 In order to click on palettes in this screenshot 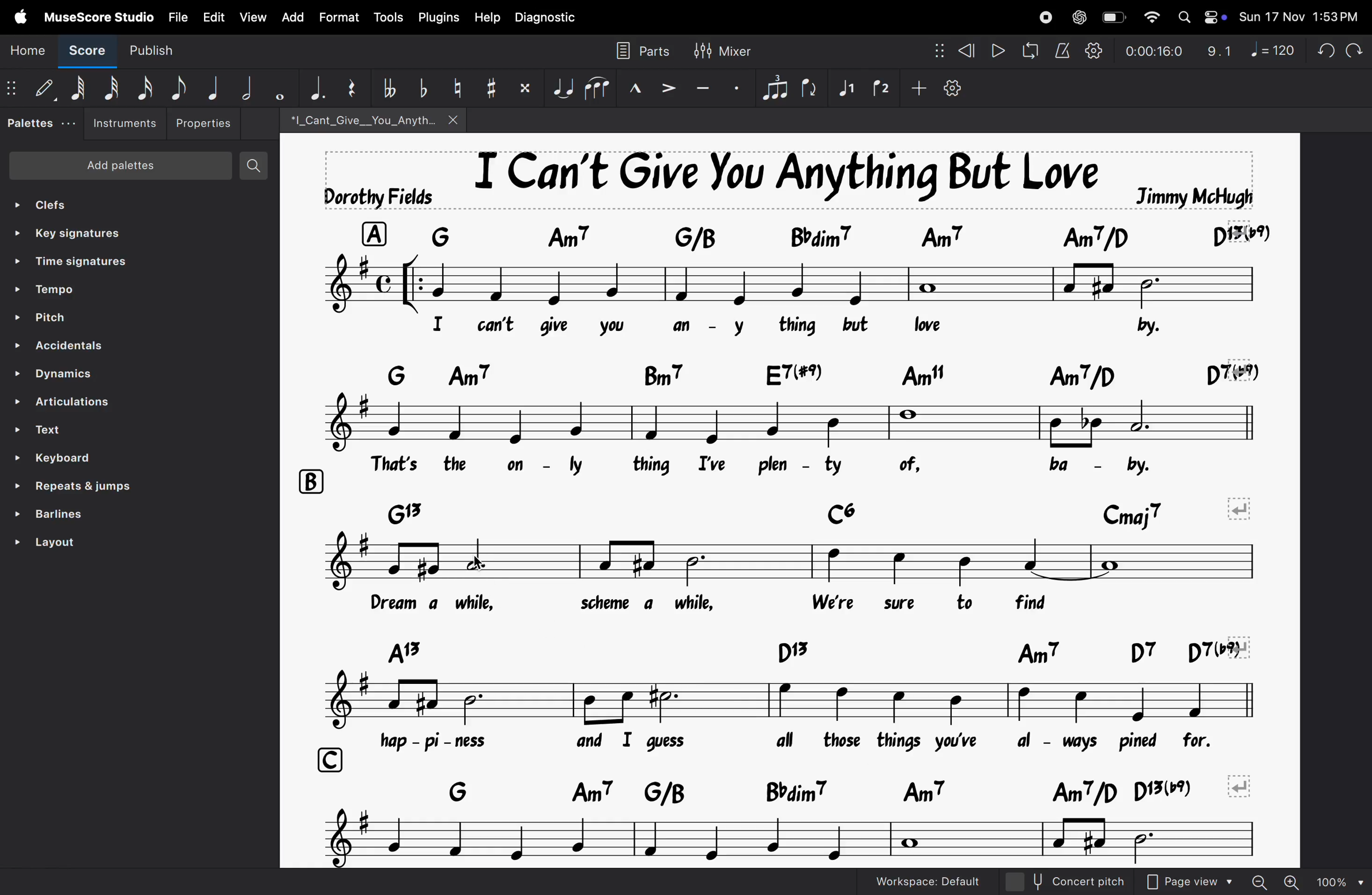, I will do `click(37, 125)`.